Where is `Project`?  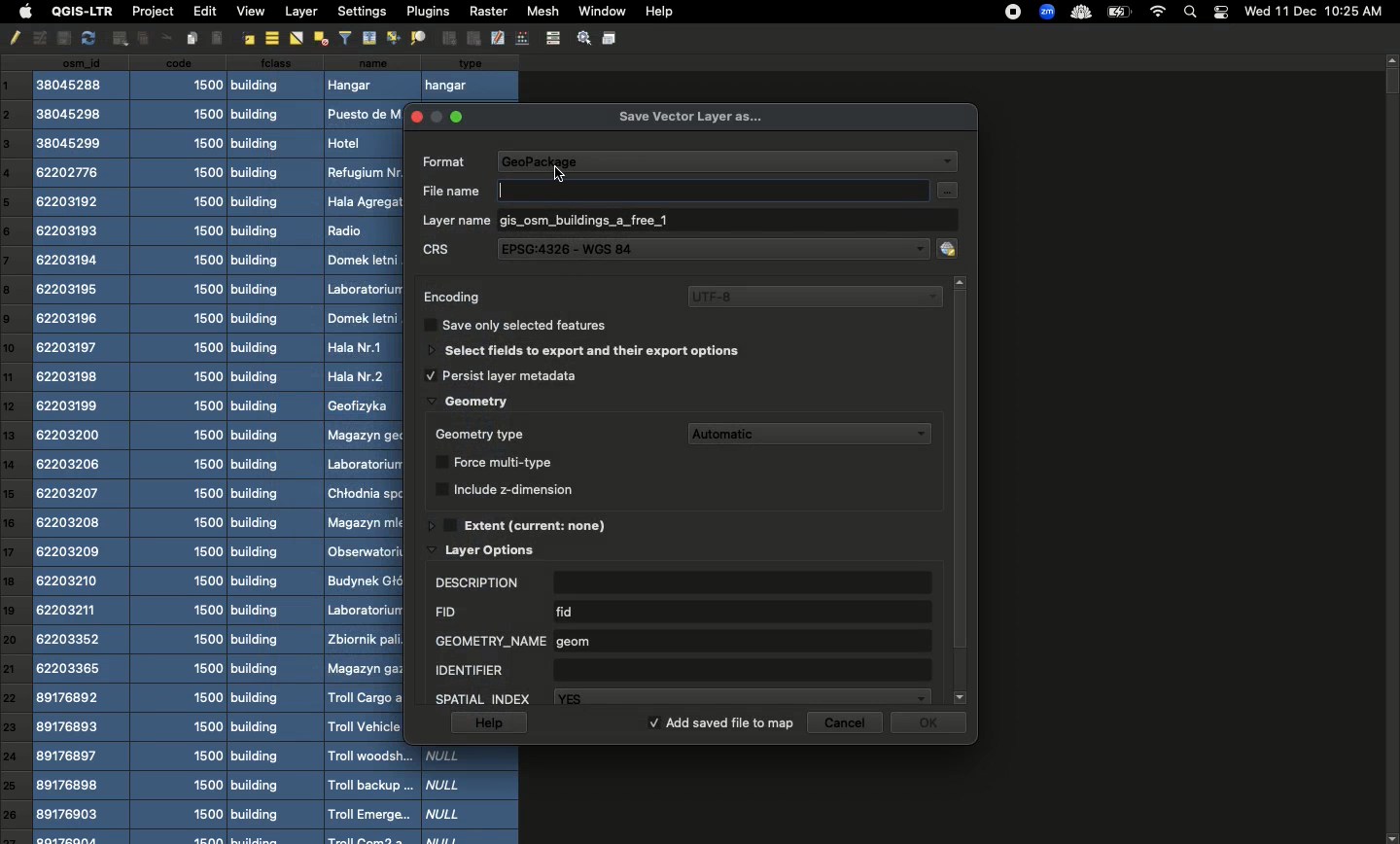 Project is located at coordinates (152, 13).